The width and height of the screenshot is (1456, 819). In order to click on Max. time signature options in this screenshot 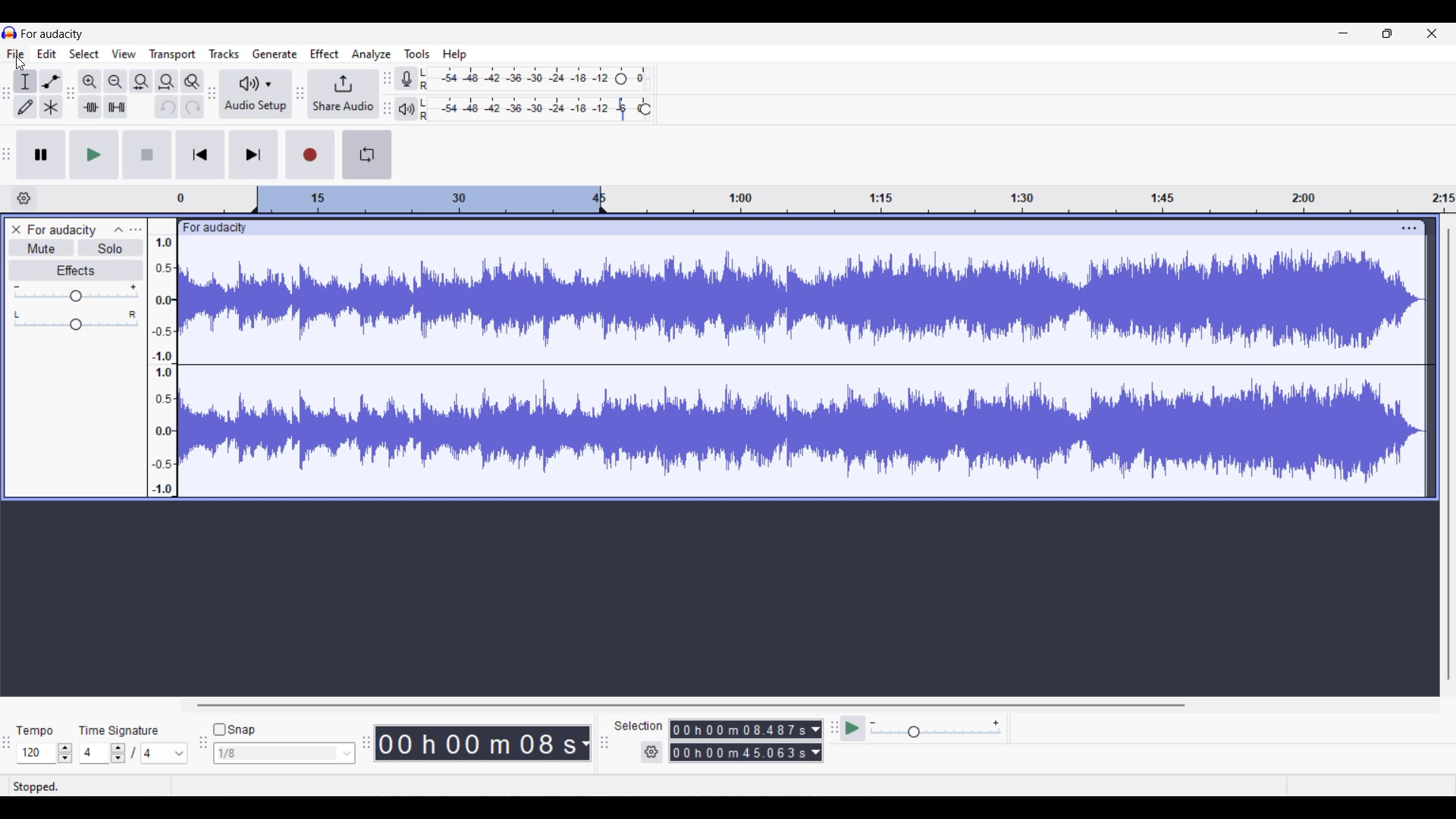, I will do `click(165, 753)`.